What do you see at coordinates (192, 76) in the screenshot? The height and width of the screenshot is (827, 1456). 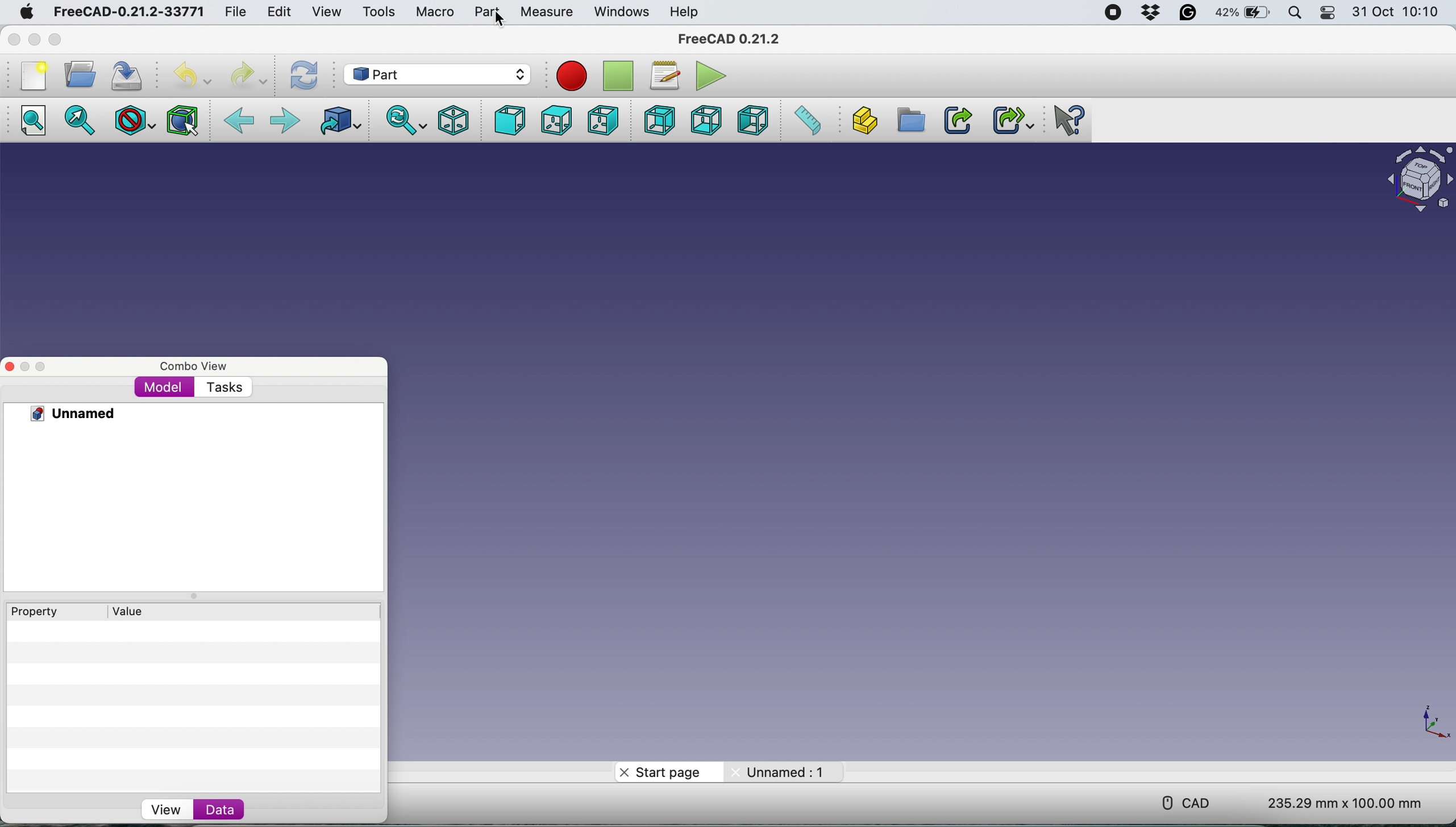 I see `Undo` at bounding box center [192, 76].